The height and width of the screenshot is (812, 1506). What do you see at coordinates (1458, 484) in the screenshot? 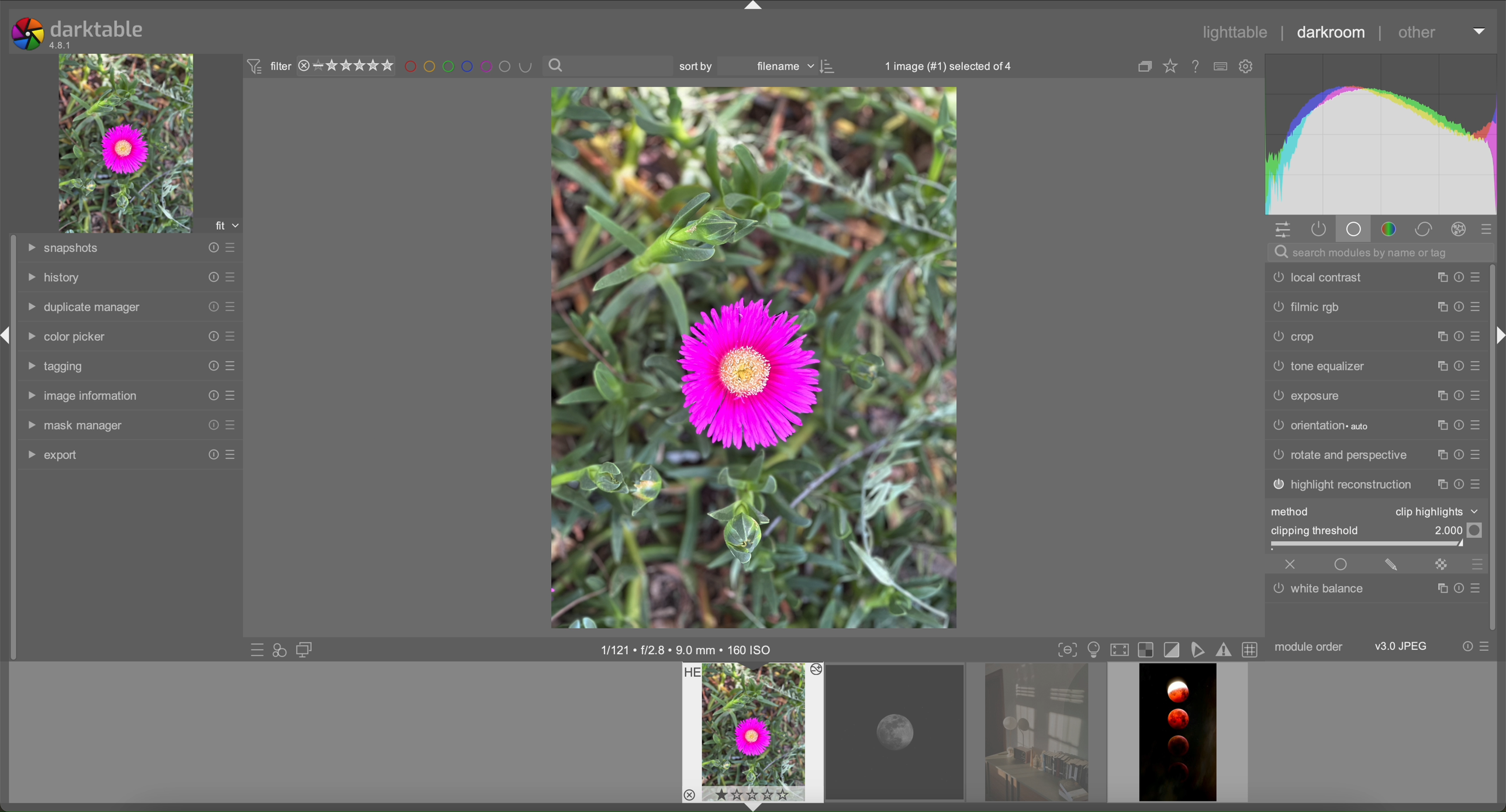
I see `reset presets` at bounding box center [1458, 484].